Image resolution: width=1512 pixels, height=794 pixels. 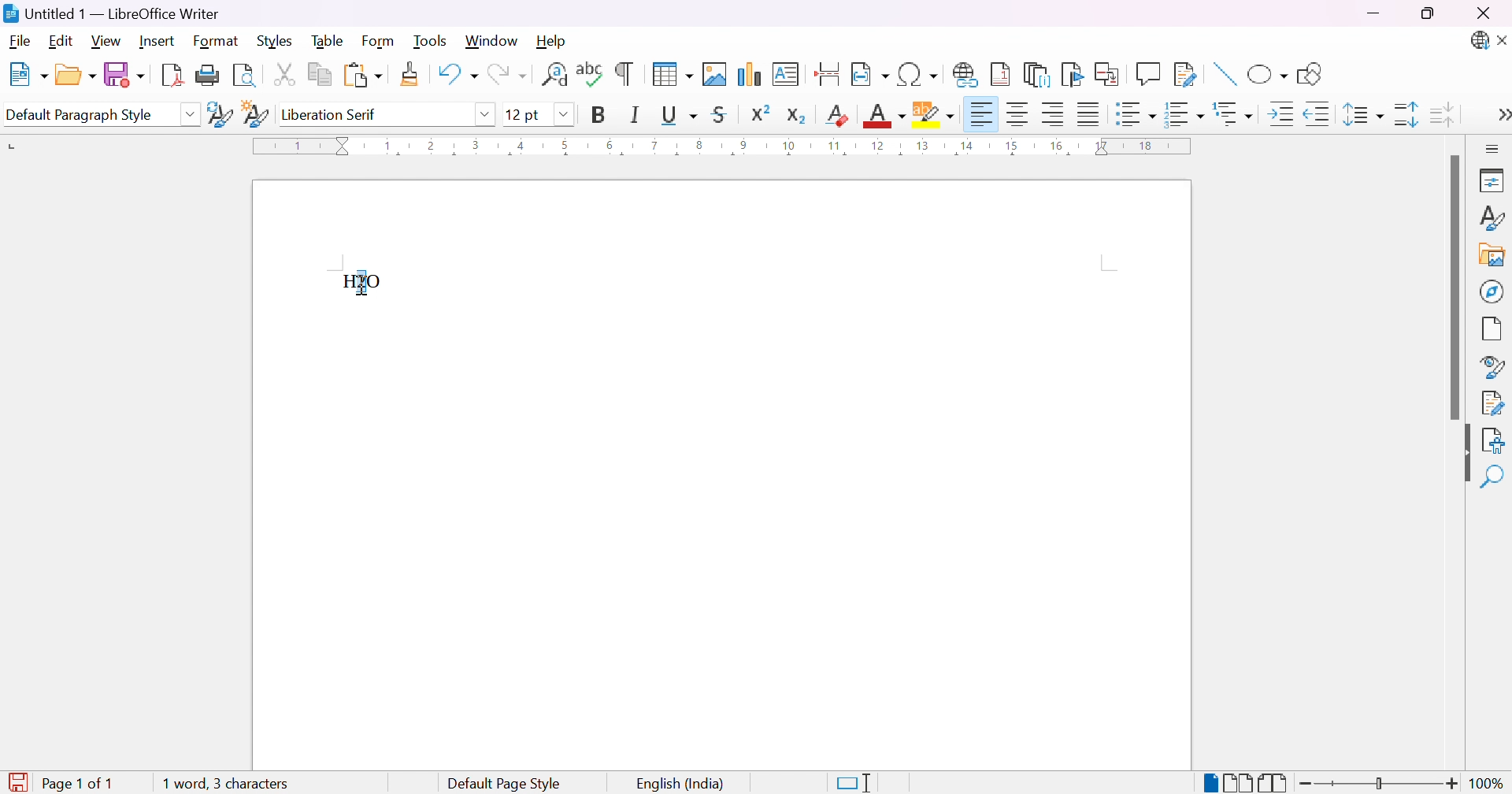 I want to click on Close, so click(x=1483, y=14).